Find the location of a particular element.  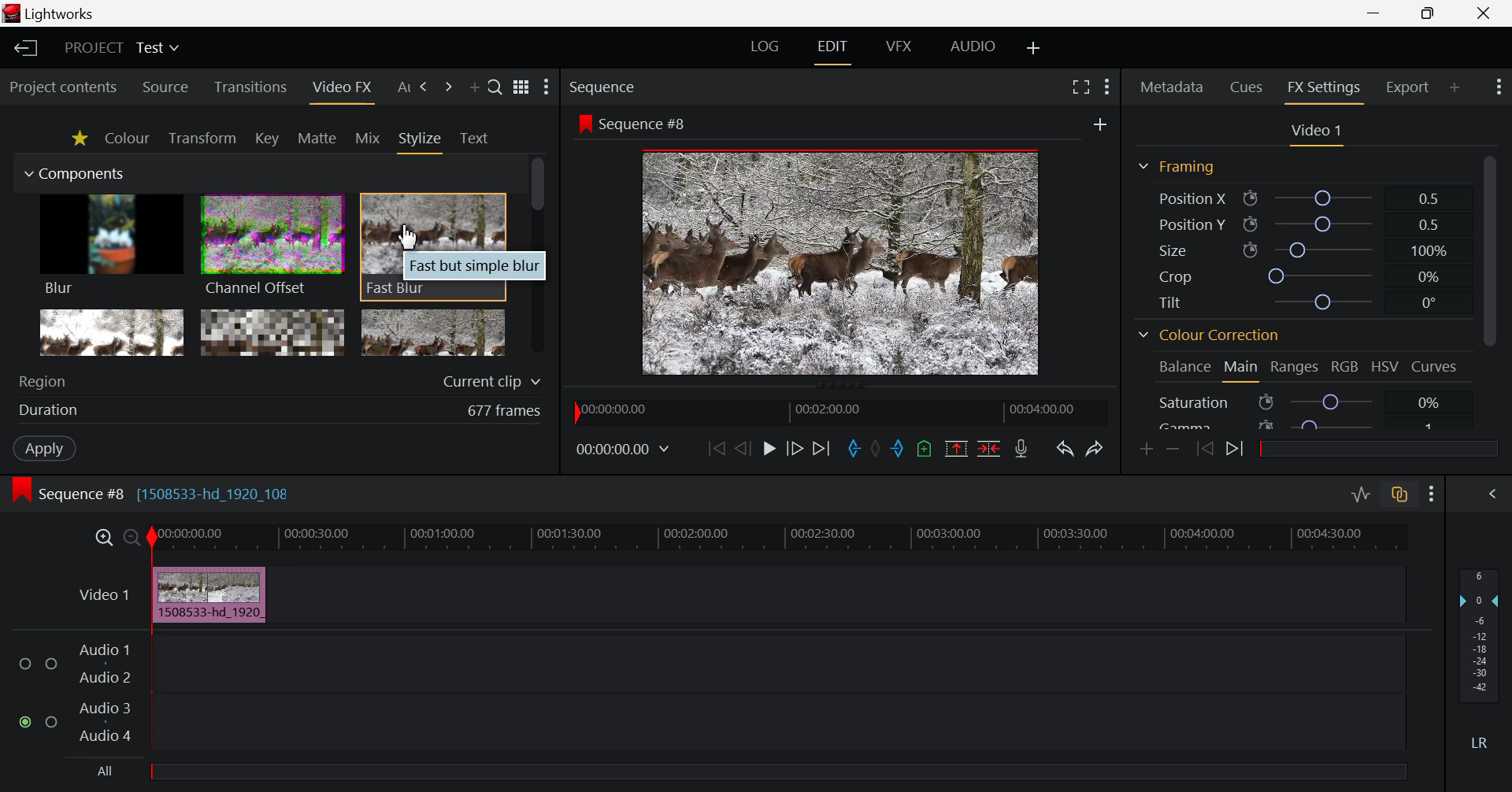

Add keyframe is located at coordinates (1145, 452).